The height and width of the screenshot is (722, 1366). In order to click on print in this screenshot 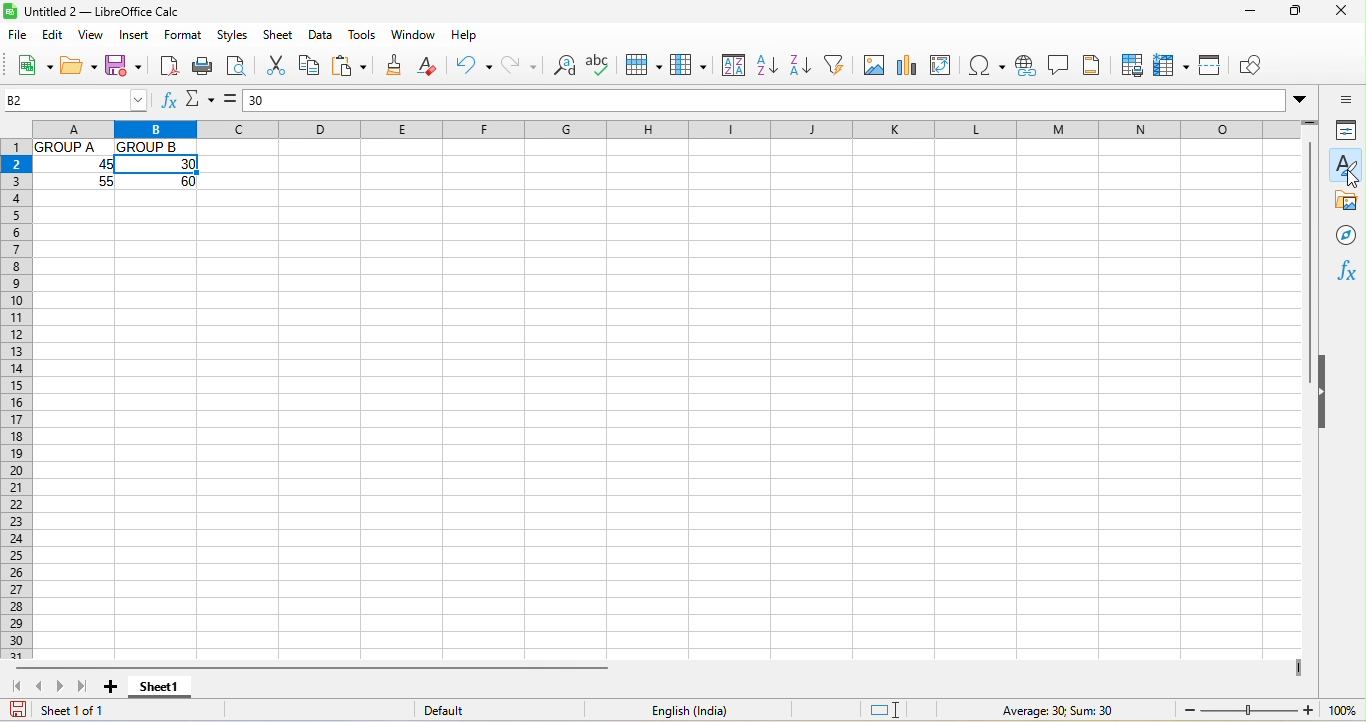, I will do `click(205, 68)`.